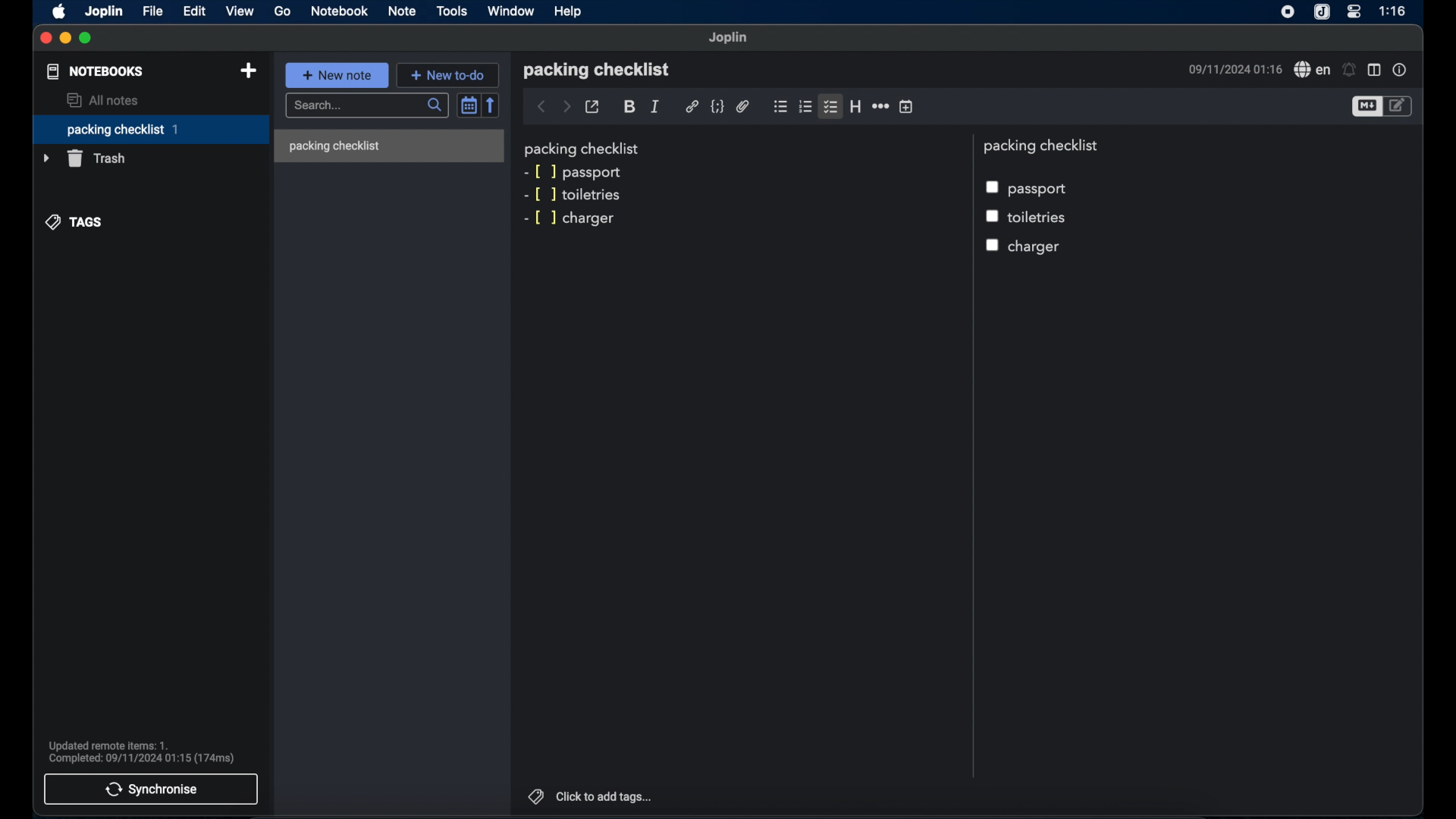  I want to click on apple icon, so click(58, 12).